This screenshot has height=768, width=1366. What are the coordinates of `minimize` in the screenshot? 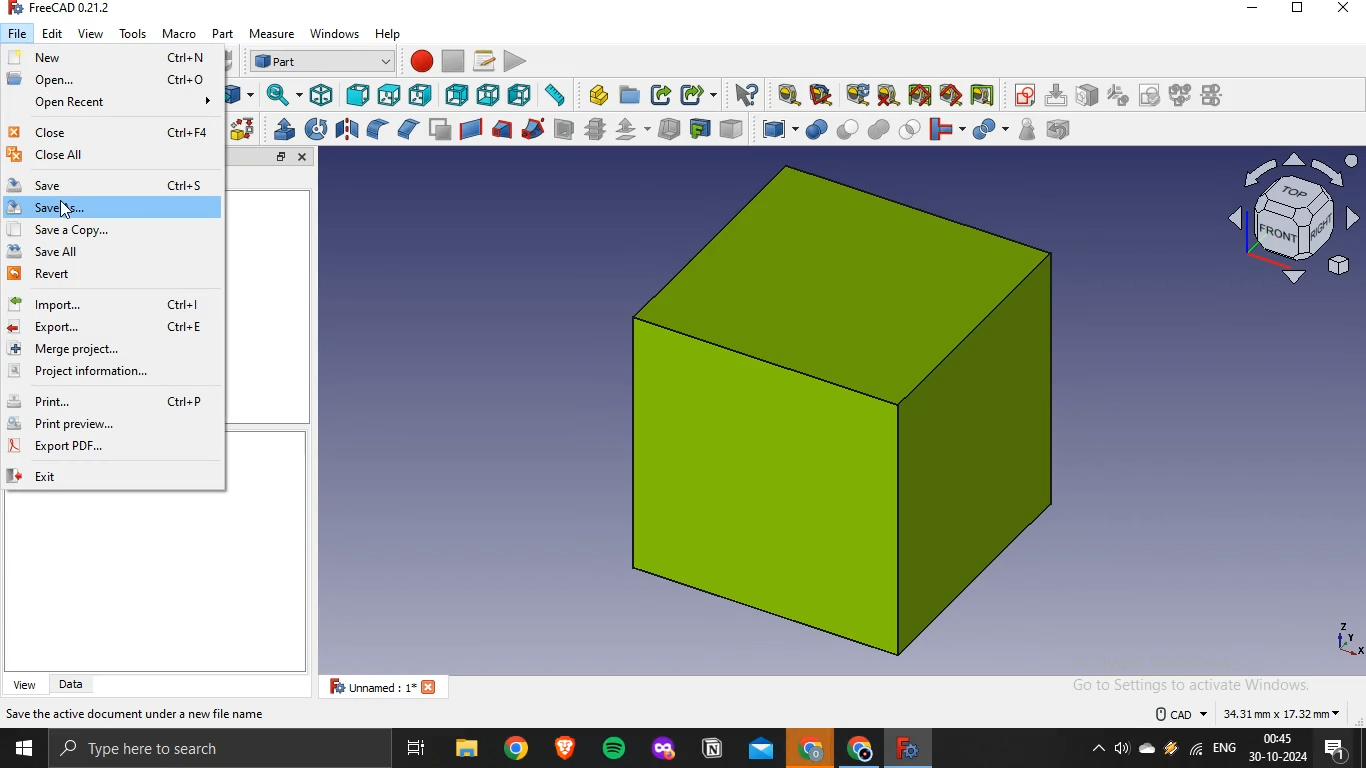 It's located at (1253, 8).